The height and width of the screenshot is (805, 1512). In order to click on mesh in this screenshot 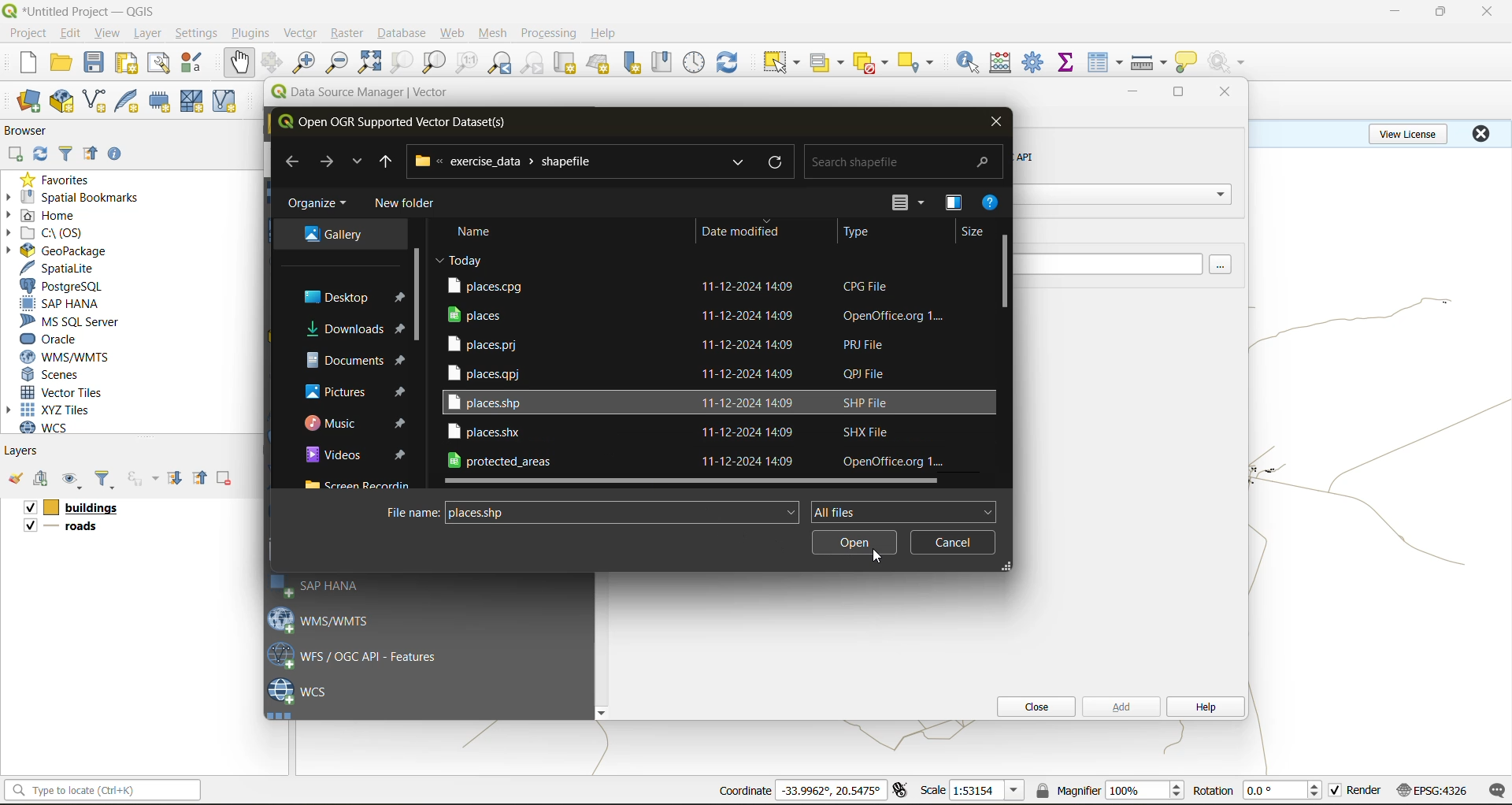, I will do `click(495, 35)`.